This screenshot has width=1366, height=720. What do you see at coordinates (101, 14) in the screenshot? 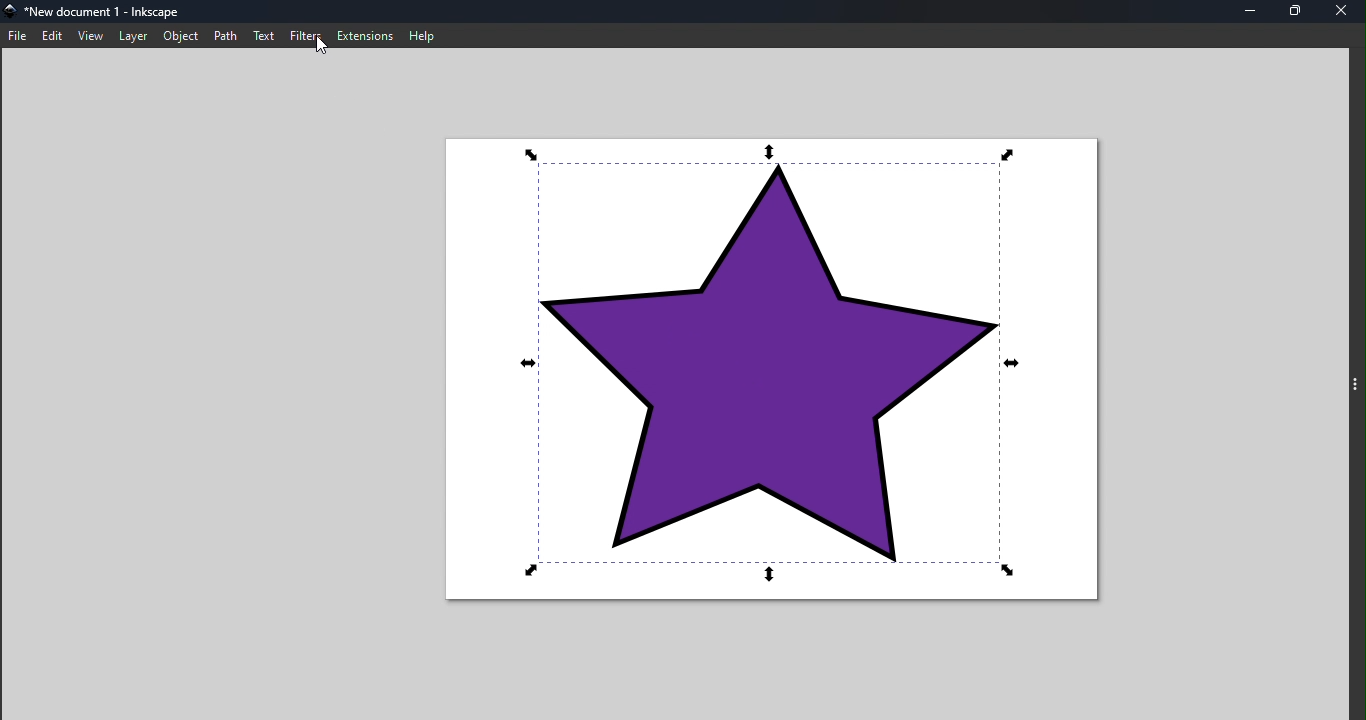
I see `File name` at bounding box center [101, 14].